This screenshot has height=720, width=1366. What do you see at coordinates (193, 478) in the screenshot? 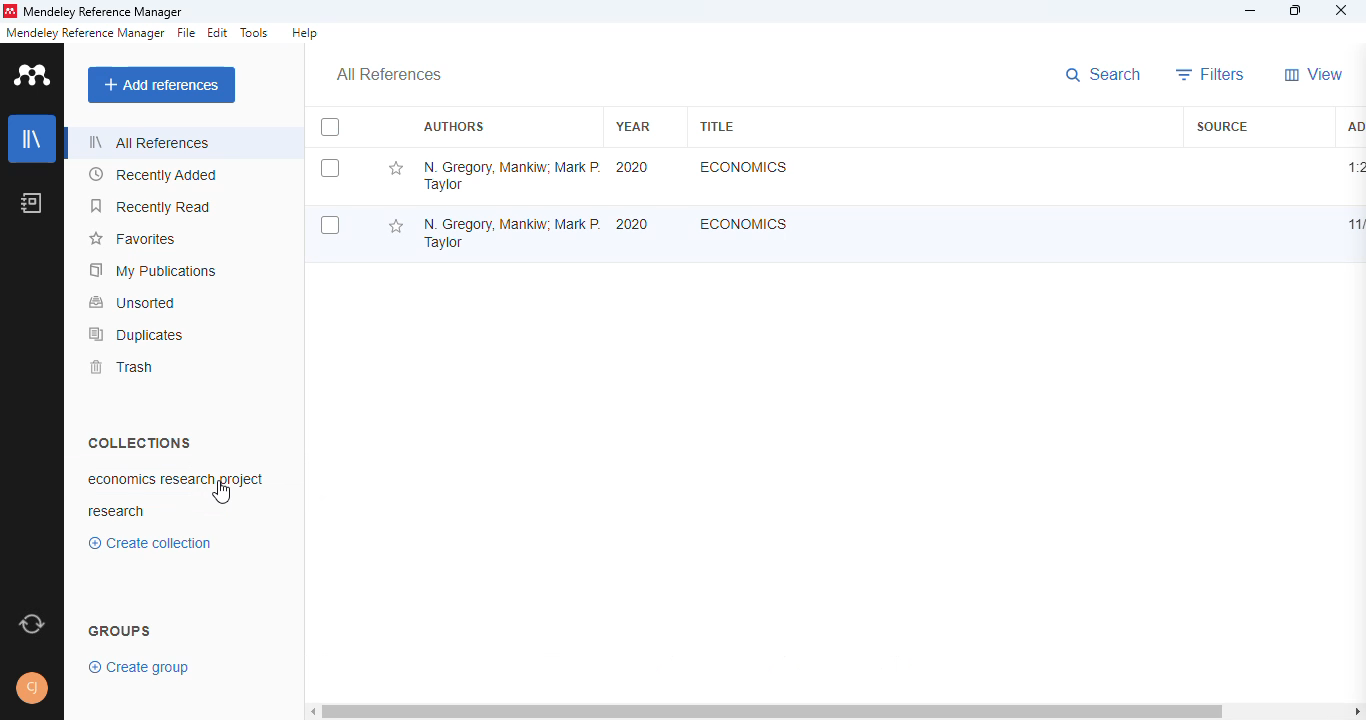
I see `economics research project` at bounding box center [193, 478].